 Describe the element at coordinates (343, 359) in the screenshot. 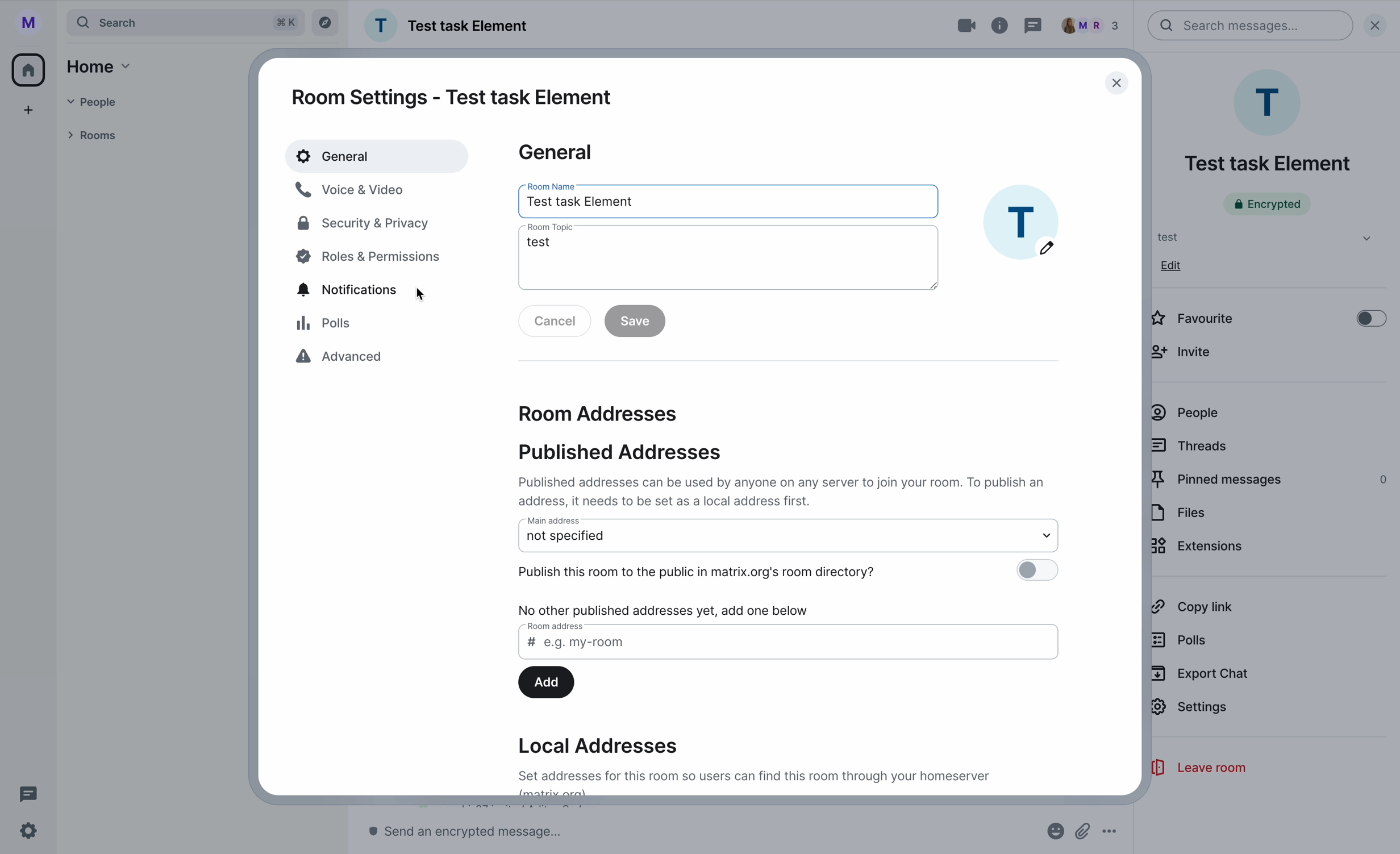

I see `advanced` at that location.